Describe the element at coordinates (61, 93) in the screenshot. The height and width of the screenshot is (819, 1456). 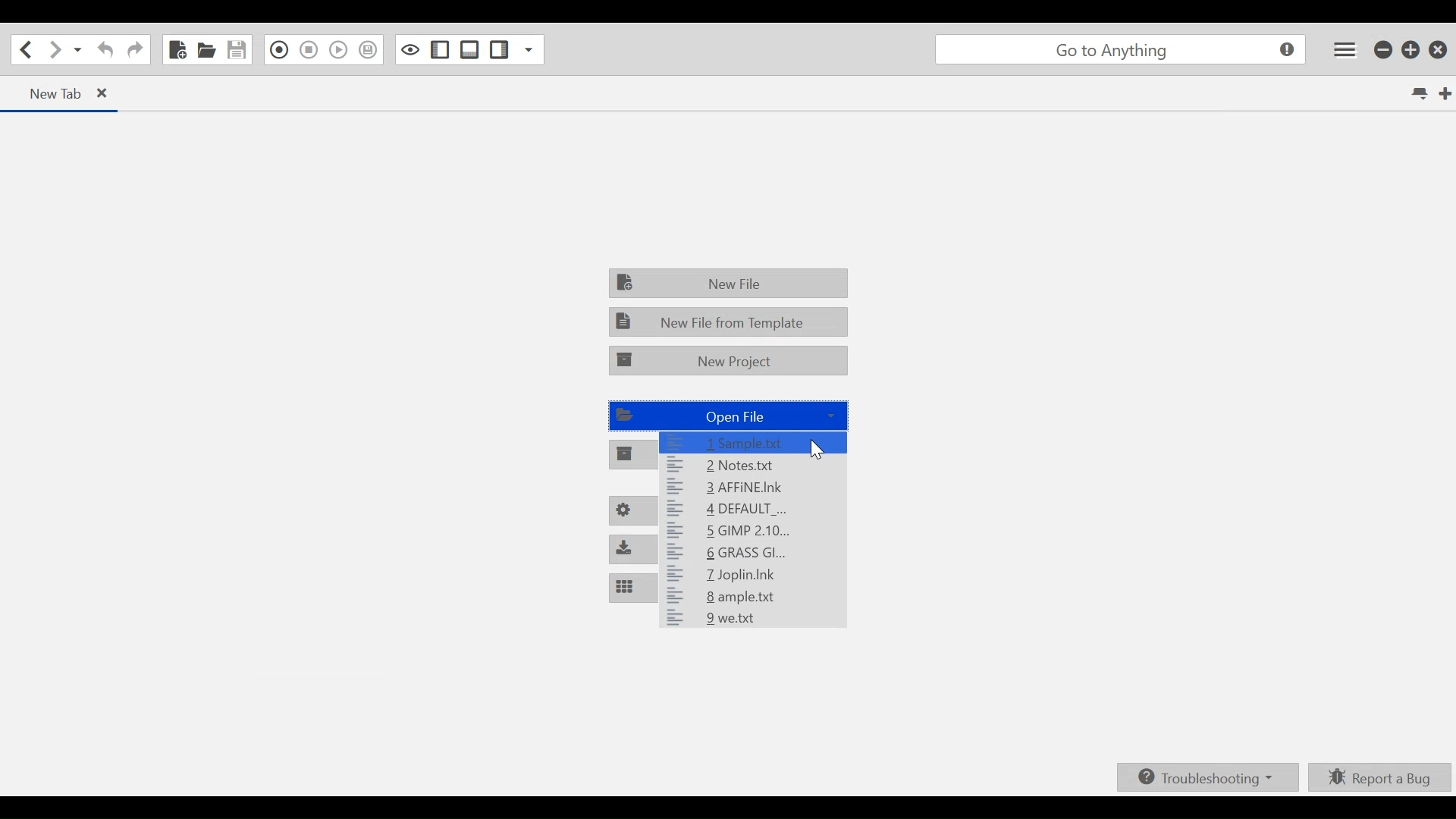
I see `new Tab` at that location.